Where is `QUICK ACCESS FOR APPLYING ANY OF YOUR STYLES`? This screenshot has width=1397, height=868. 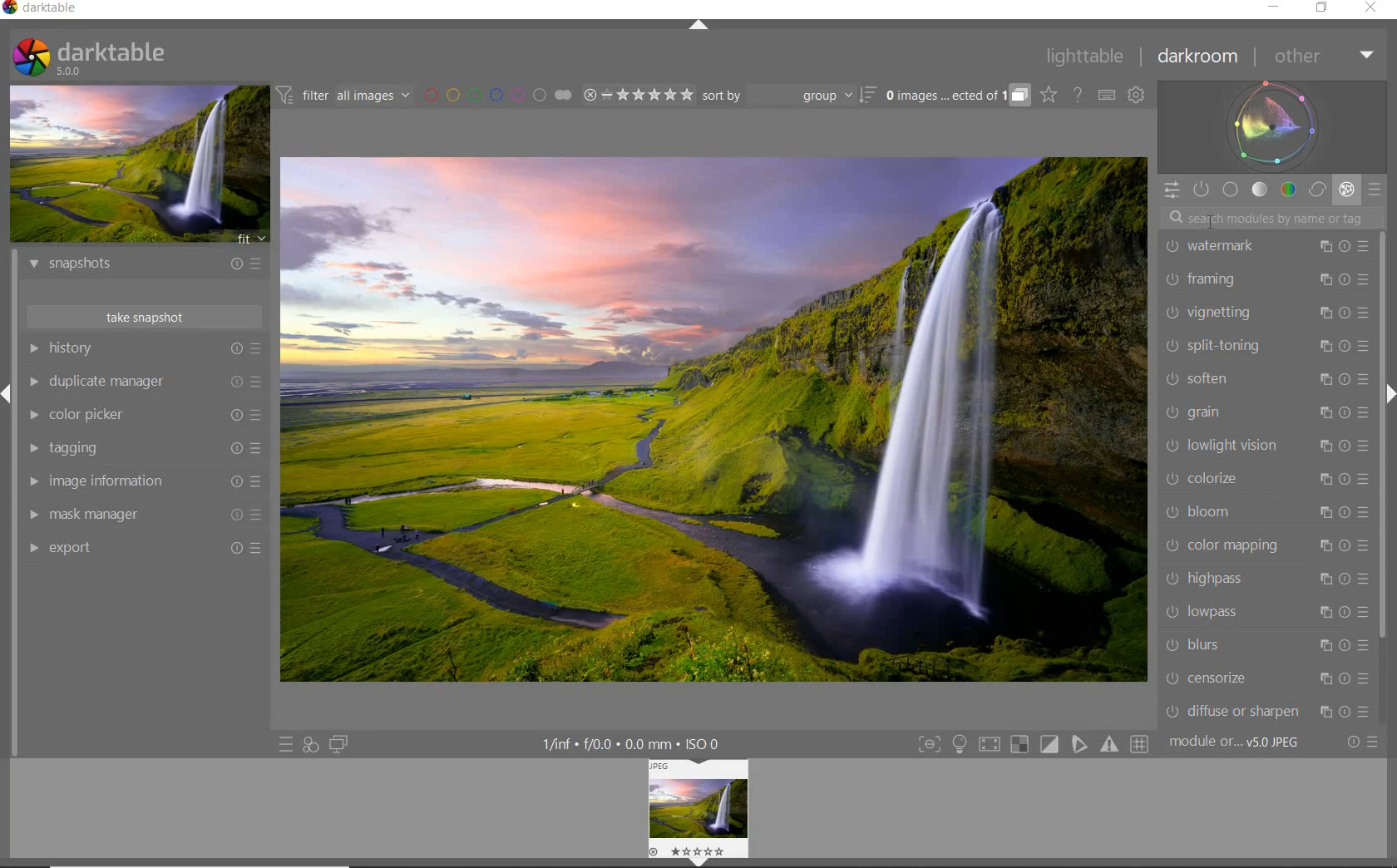 QUICK ACCESS FOR APPLYING ANY OF YOUR STYLES is located at coordinates (309, 746).